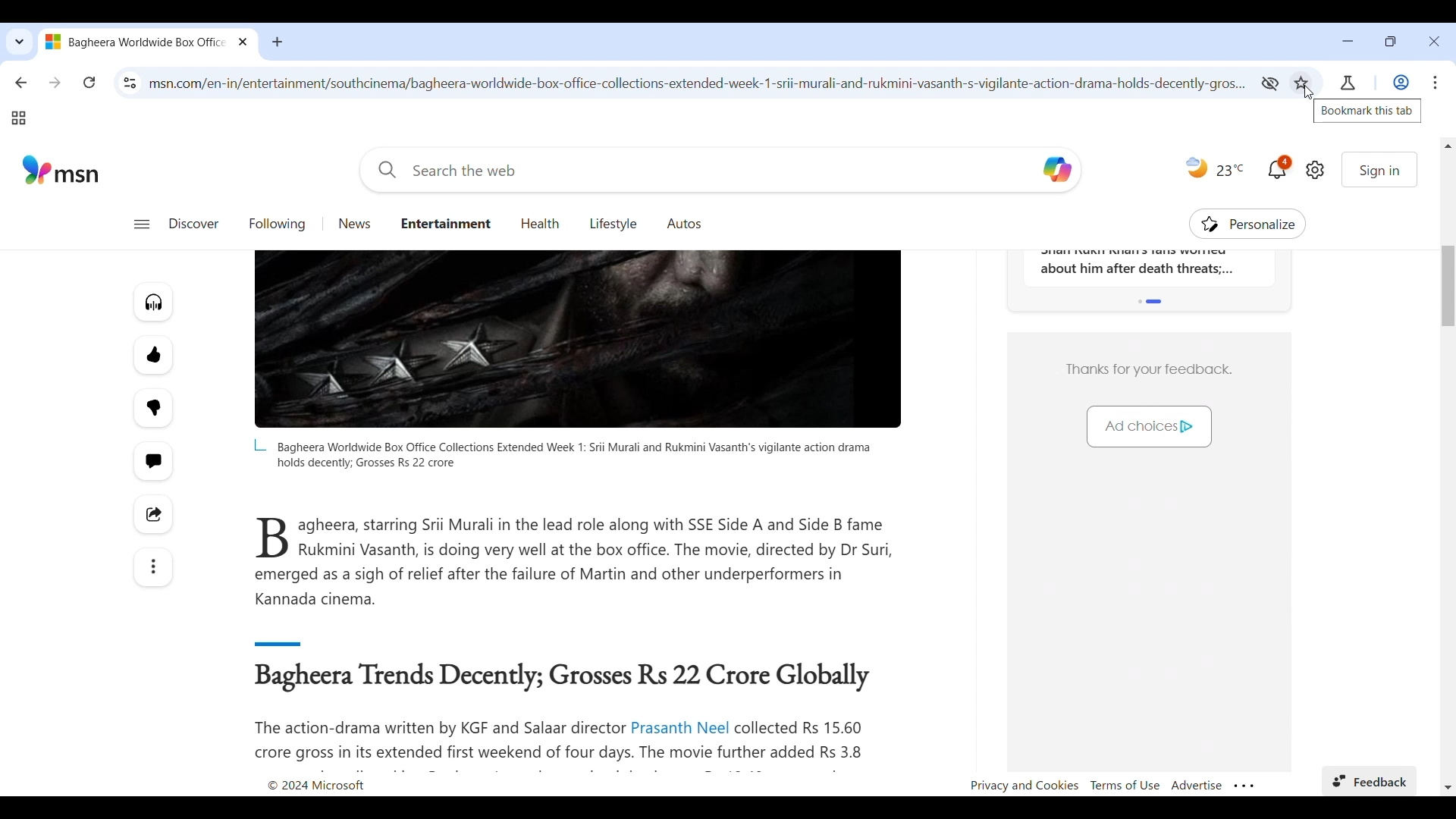 The width and height of the screenshot is (1456, 819). What do you see at coordinates (89, 82) in the screenshot?
I see `Reload page` at bounding box center [89, 82].